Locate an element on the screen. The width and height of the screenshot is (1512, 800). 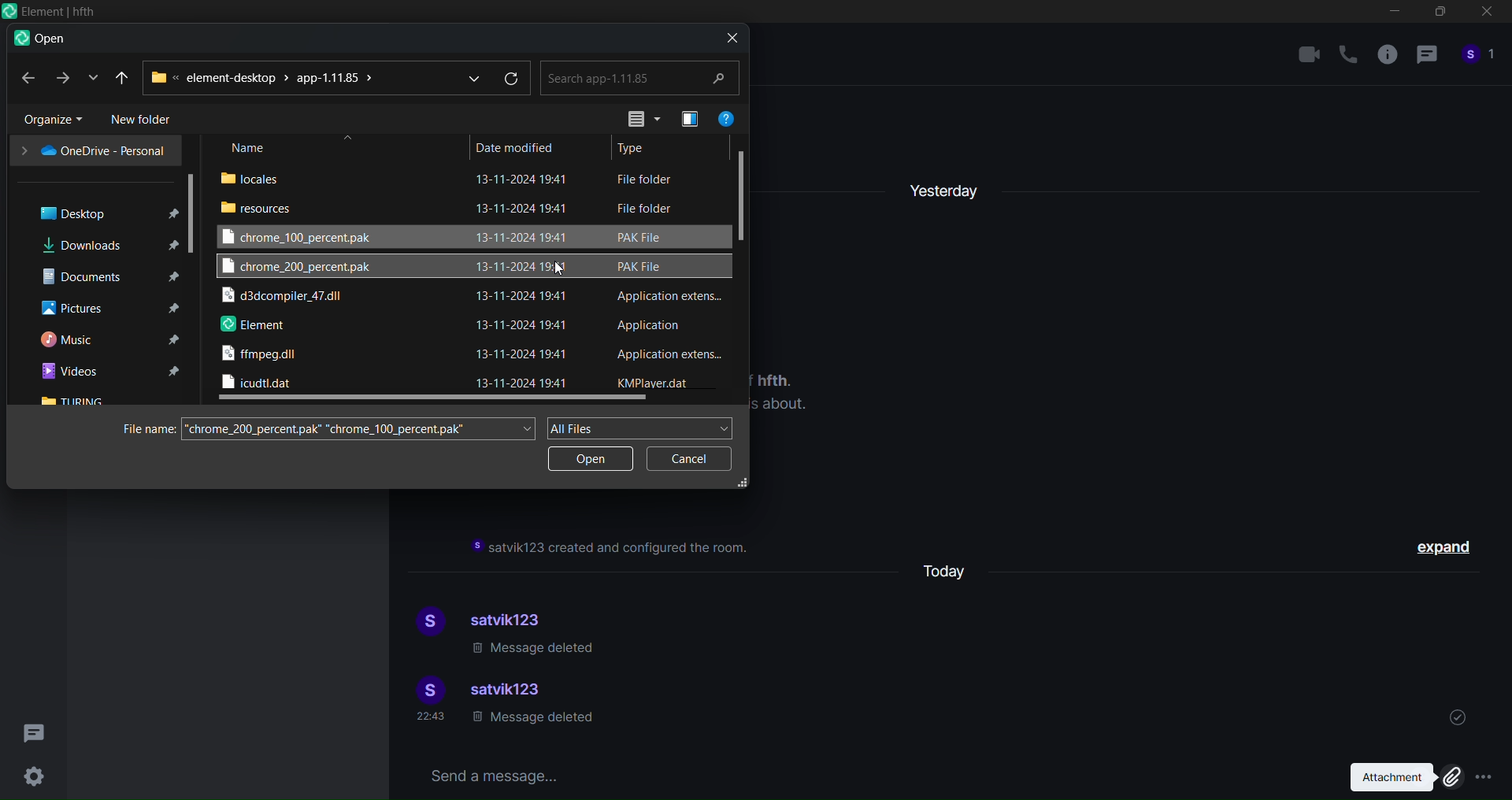
downloads is located at coordinates (105, 244).